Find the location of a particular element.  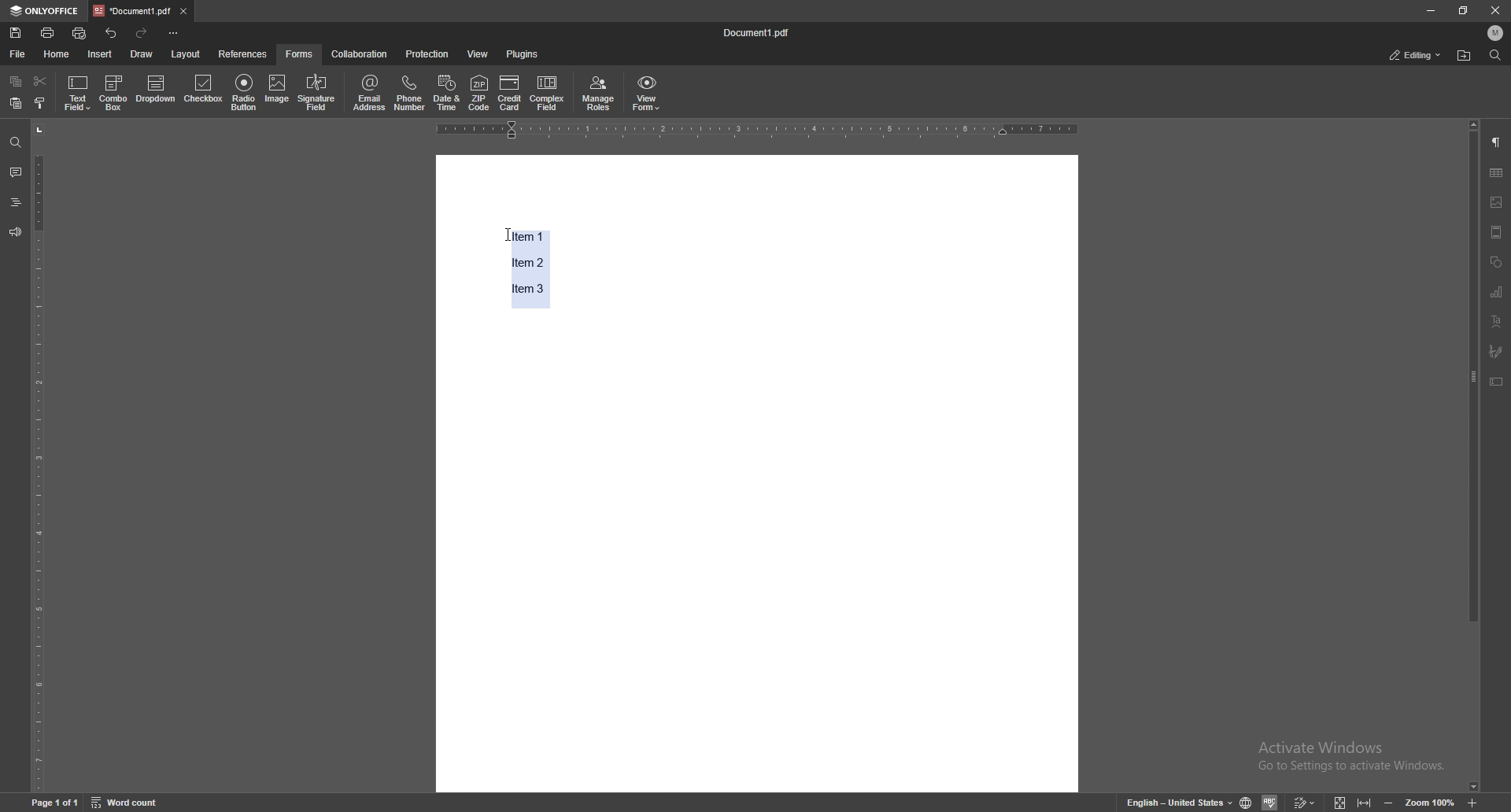

minimize is located at coordinates (1429, 11).